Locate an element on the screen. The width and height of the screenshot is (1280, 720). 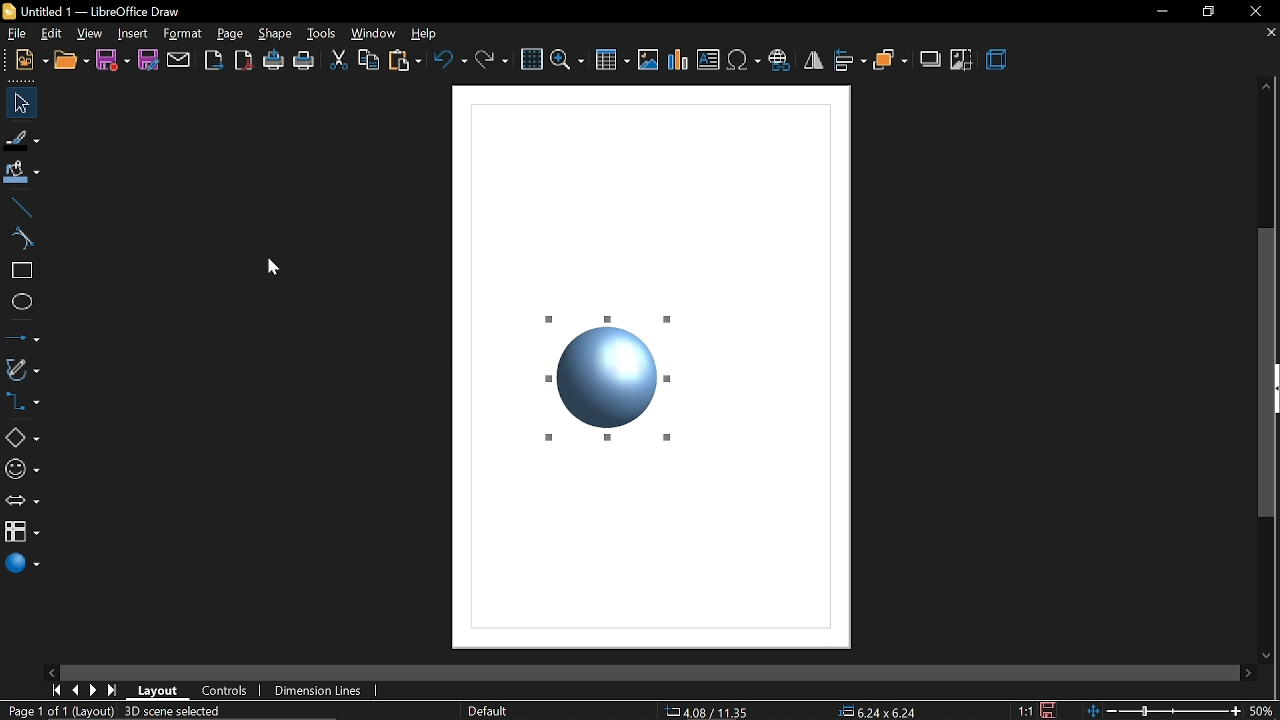
view is located at coordinates (90, 32).